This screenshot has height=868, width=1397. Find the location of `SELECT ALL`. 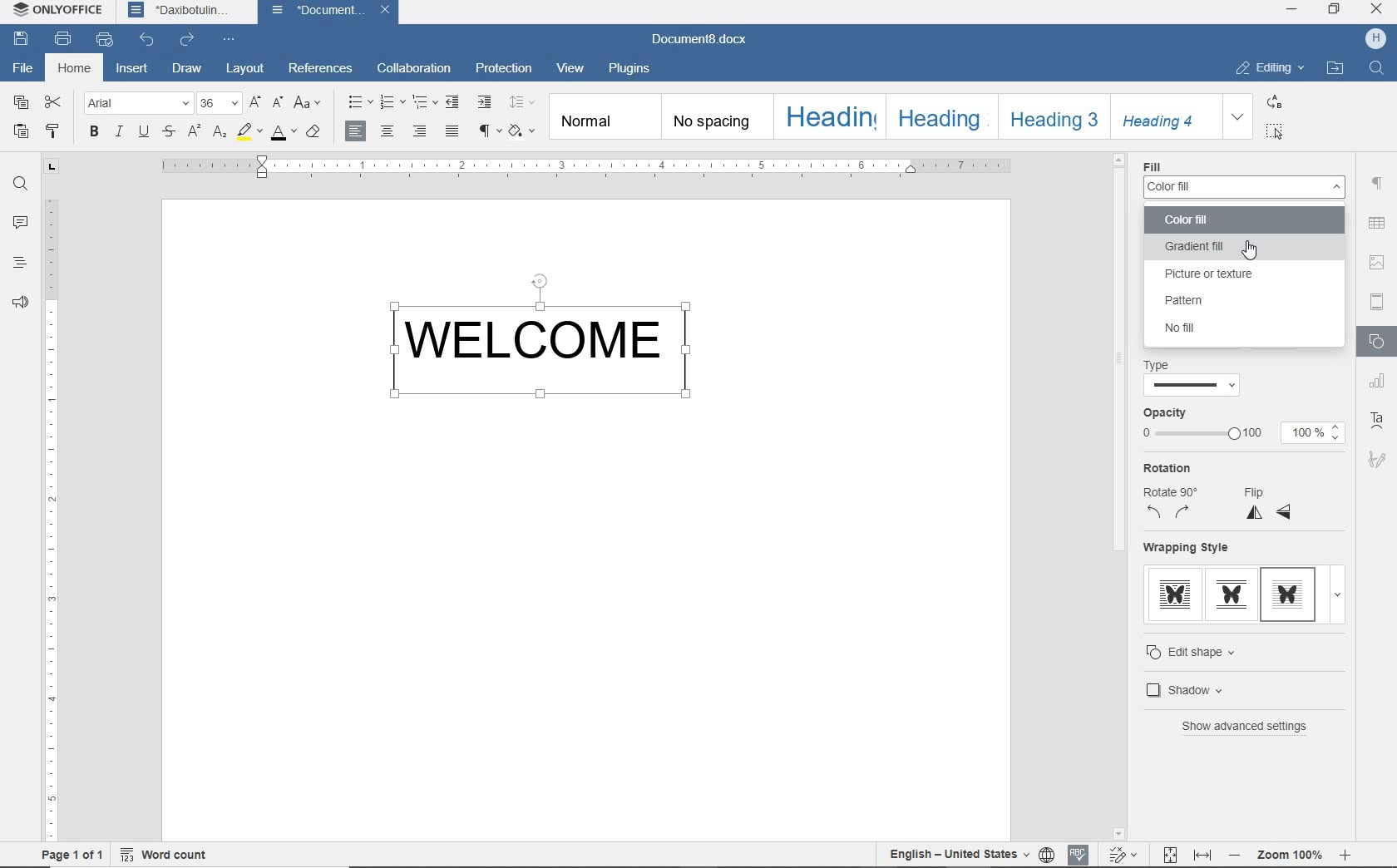

SELECT ALL is located at coordinates (1272, 131).